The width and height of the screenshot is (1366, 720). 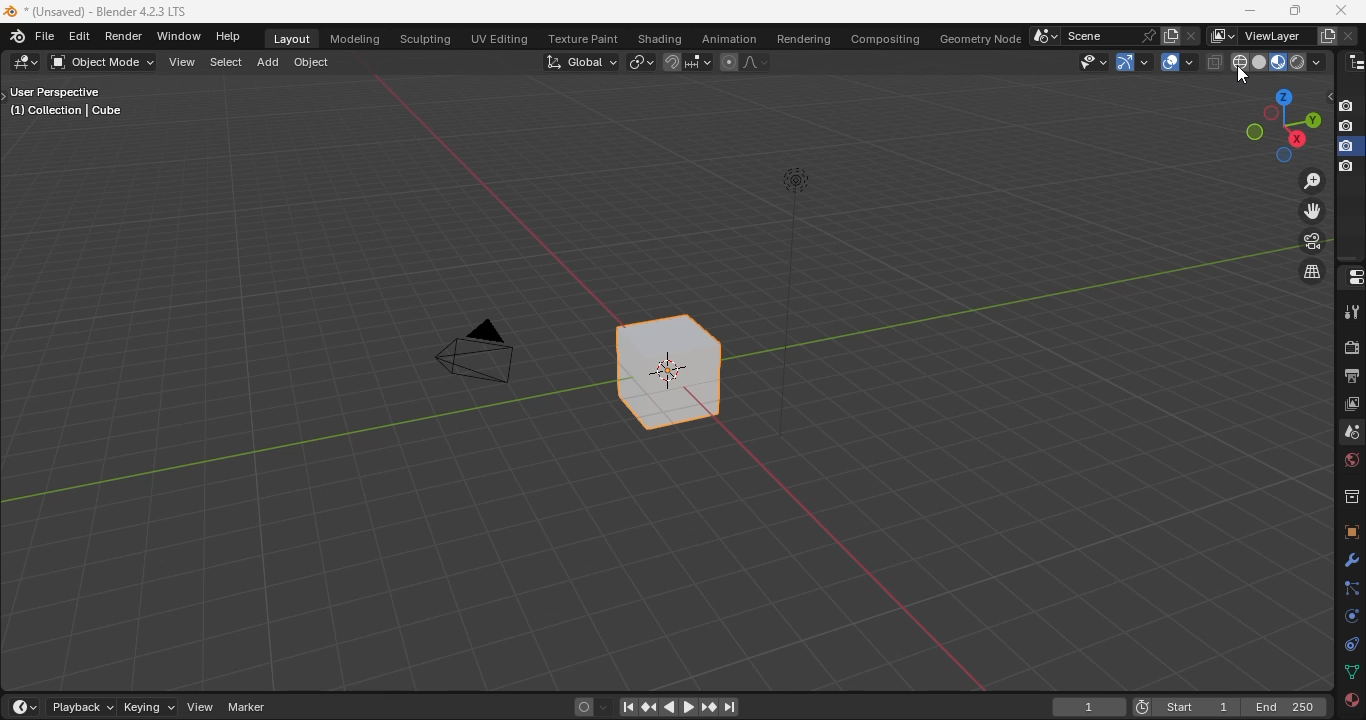 What do you see at coordinates (1351, 644) in the screenshot?
I see `constraints` at bounding box center [1351, 644].